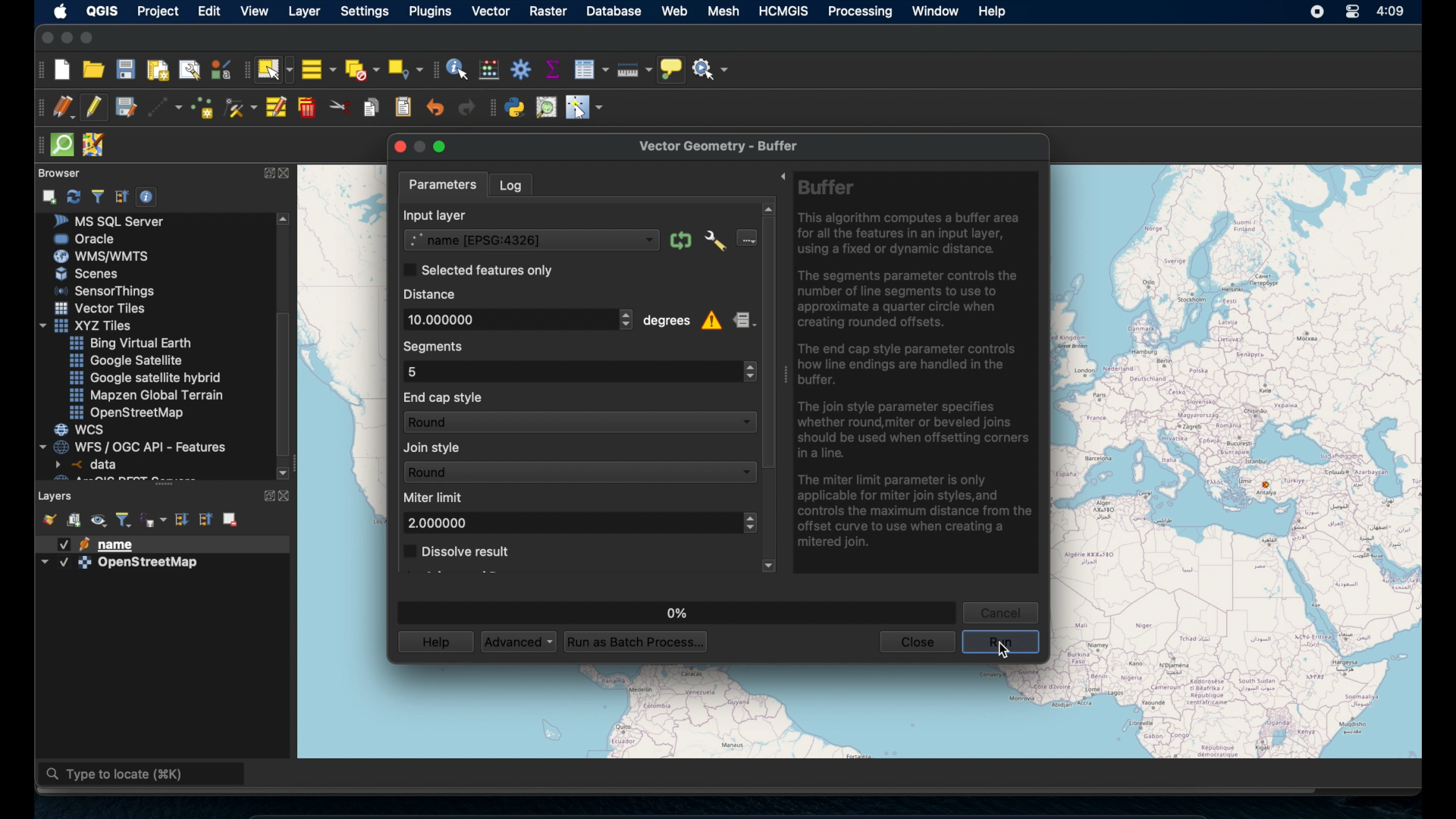  I want to click on save project, so click(126, 71).